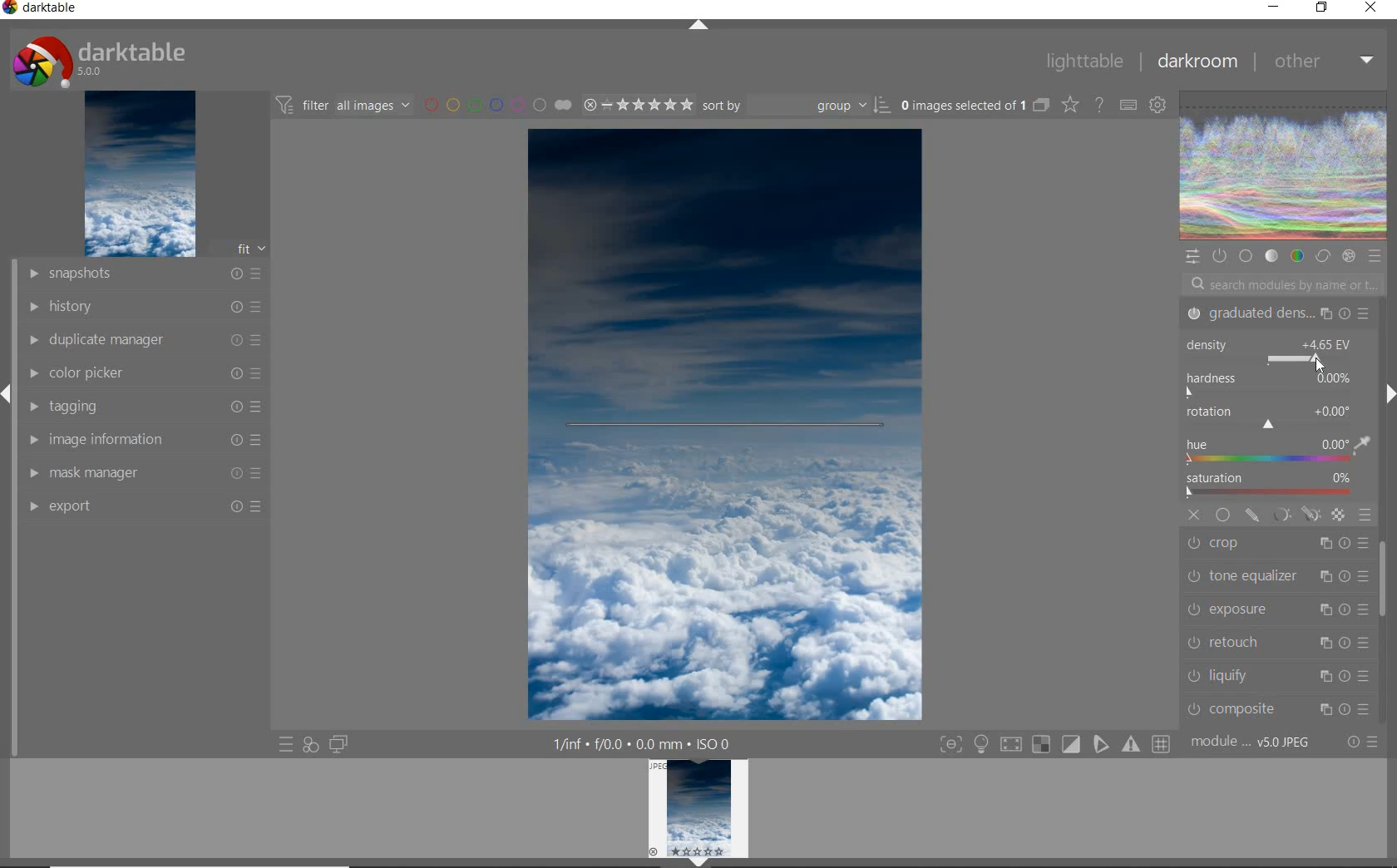  What do you see at coordinates (1284, 166) in the screenshot?
I see `WAVEFORM` at bounding box center [1284, 166].